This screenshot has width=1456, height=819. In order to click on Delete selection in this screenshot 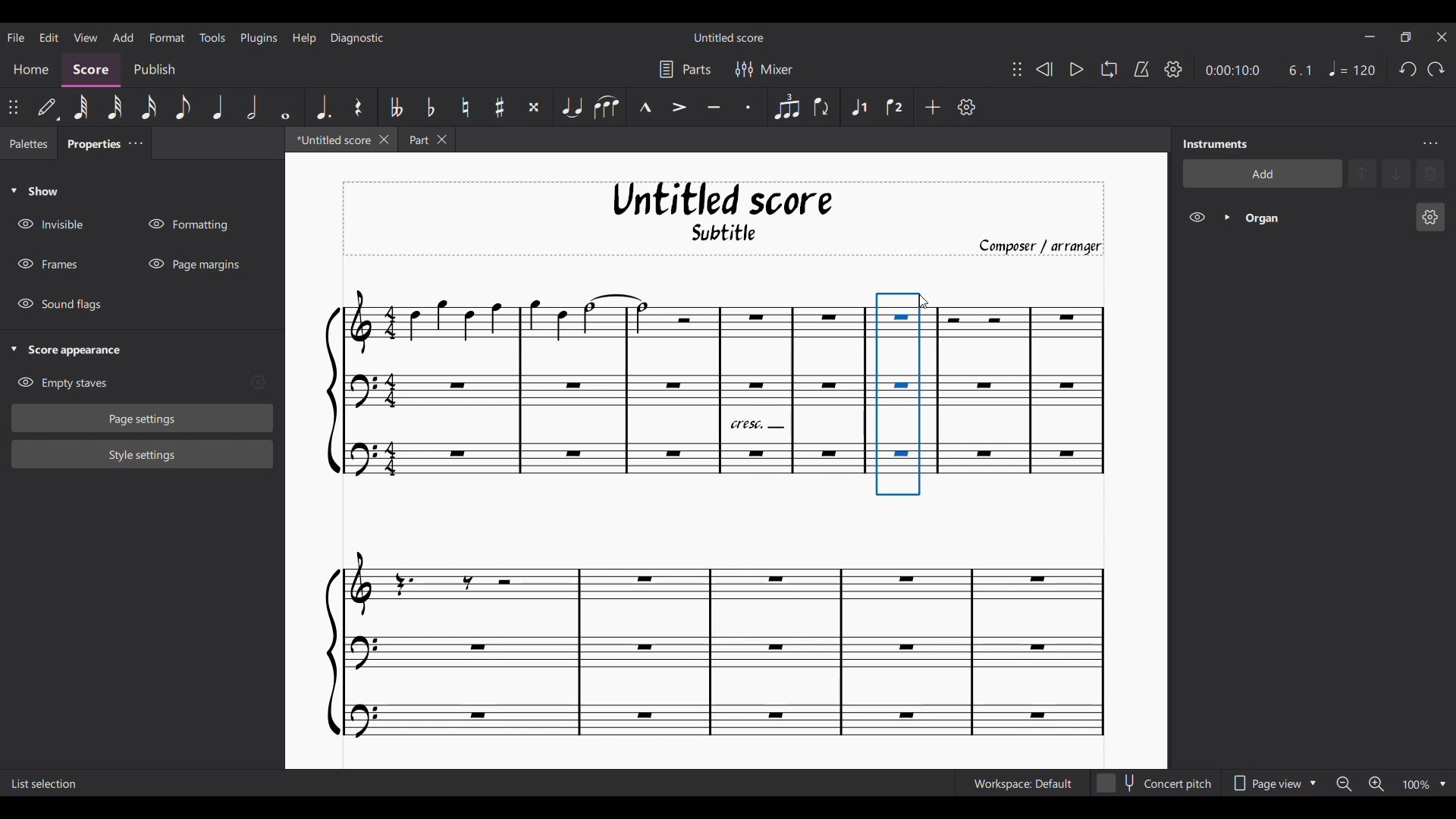, I will do `click(1430, 174)`.